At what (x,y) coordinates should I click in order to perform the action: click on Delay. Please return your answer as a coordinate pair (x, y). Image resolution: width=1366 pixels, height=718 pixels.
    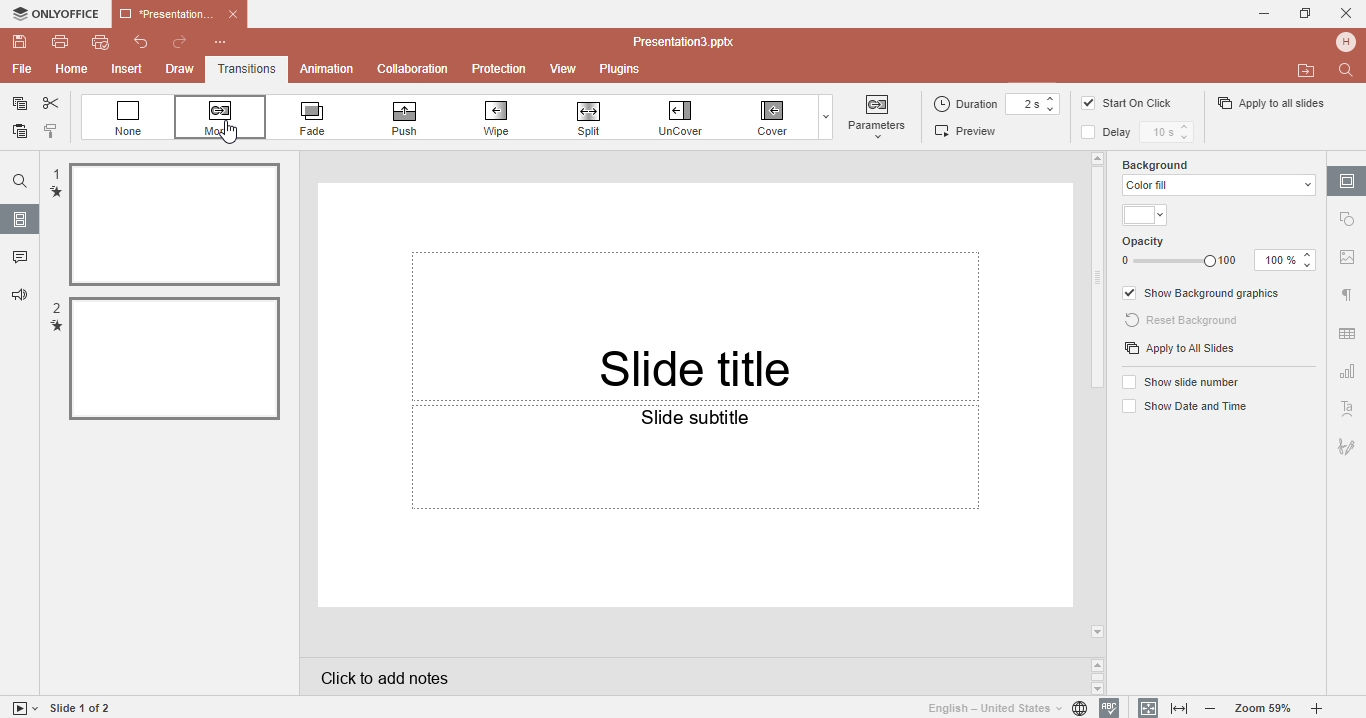
    Looking at the image, I should click on (1112, 132).